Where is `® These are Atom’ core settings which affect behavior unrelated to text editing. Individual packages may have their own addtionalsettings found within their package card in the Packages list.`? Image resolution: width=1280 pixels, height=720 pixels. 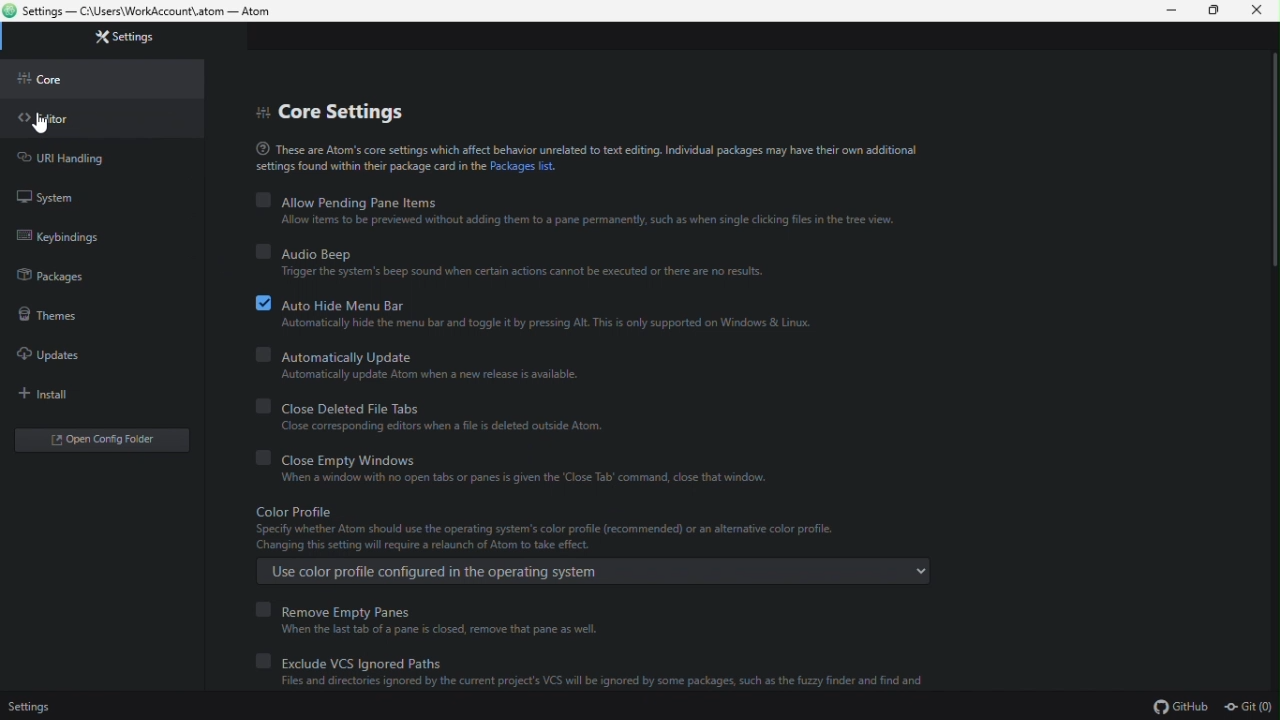
® These are Atom’ core settings which affect behavior unrelated to text editing. Individual packages may have their own addtionalsettings found within their package card in the Packages list. is located at coordinates (584, 157).